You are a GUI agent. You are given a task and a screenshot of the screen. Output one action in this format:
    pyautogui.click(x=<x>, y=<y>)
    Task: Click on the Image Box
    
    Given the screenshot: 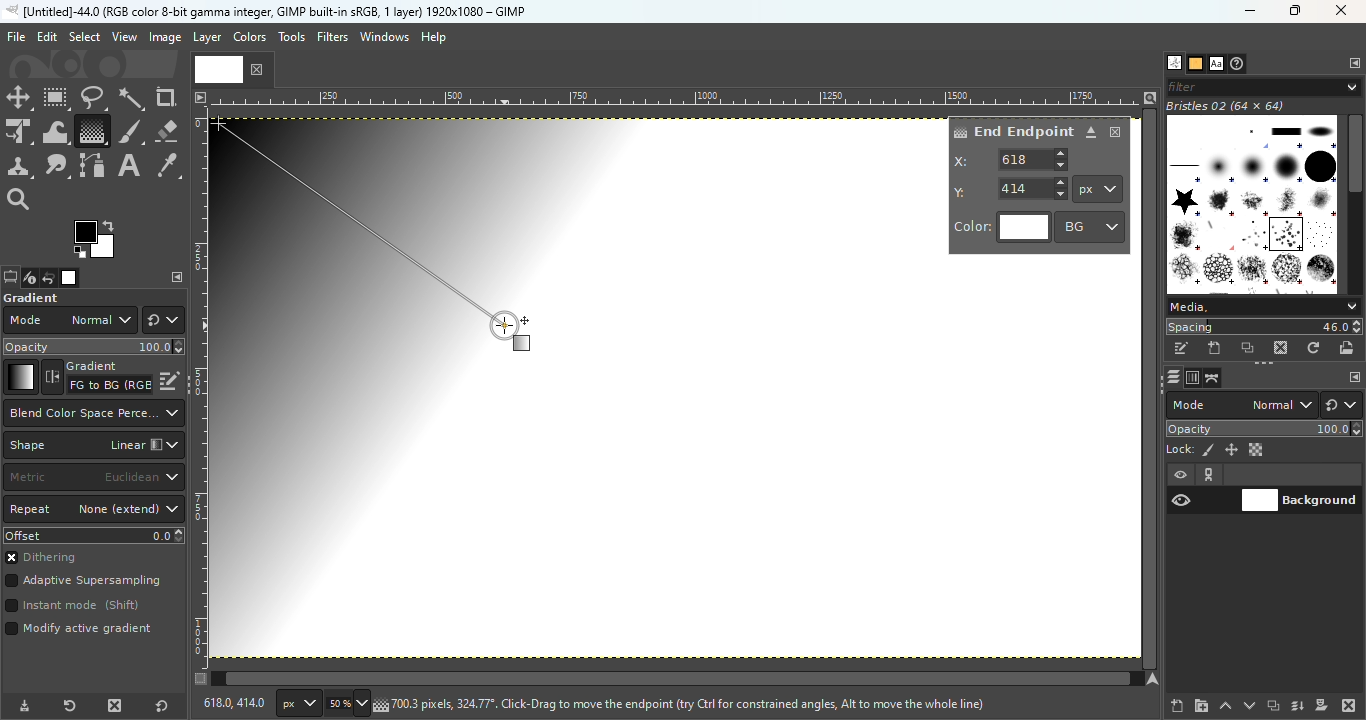 What is the action you would take?
    pyautogui.click(x=1252, y=197)
    